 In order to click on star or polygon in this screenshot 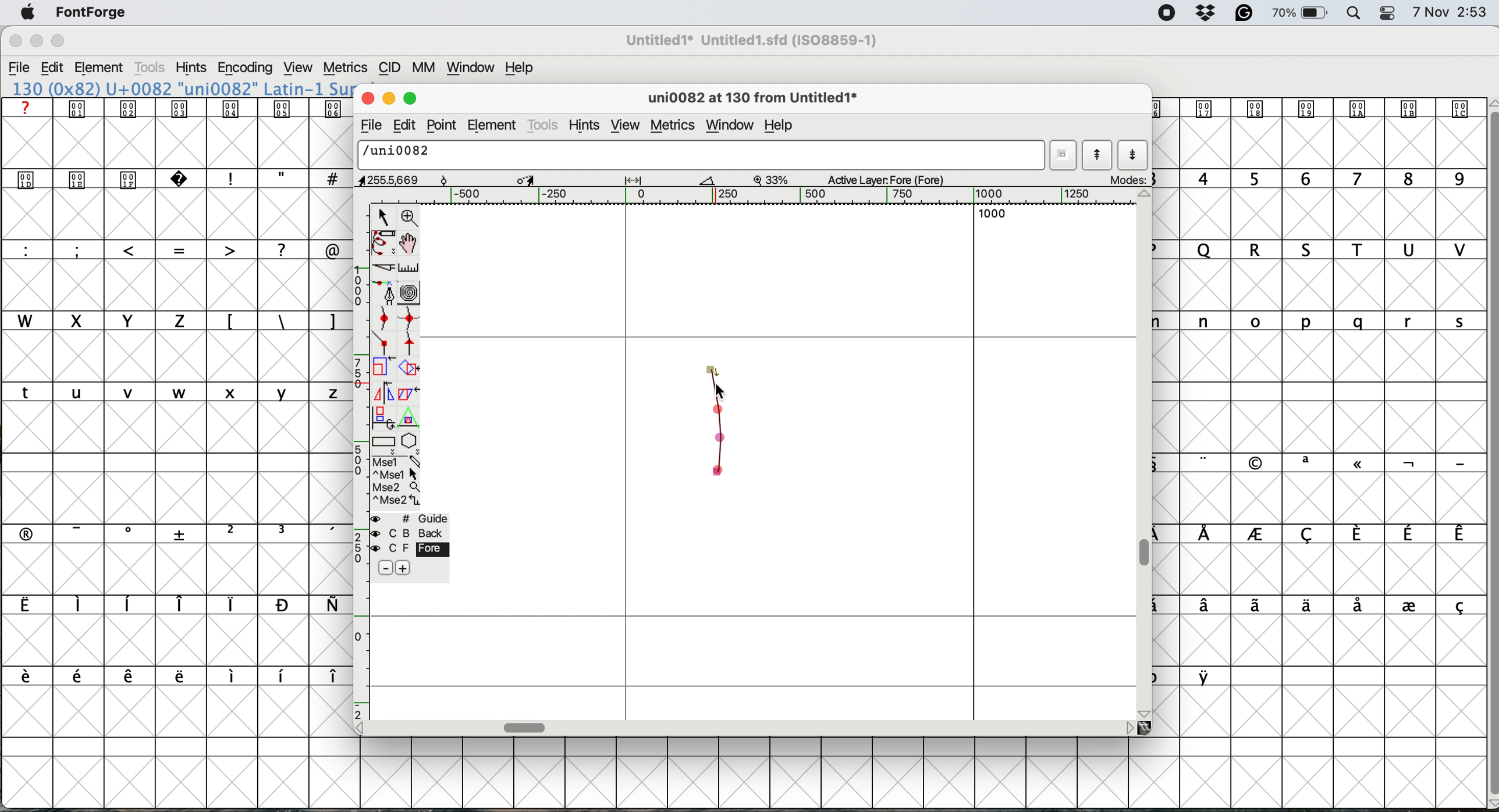, I will do `click(409, 443)`.